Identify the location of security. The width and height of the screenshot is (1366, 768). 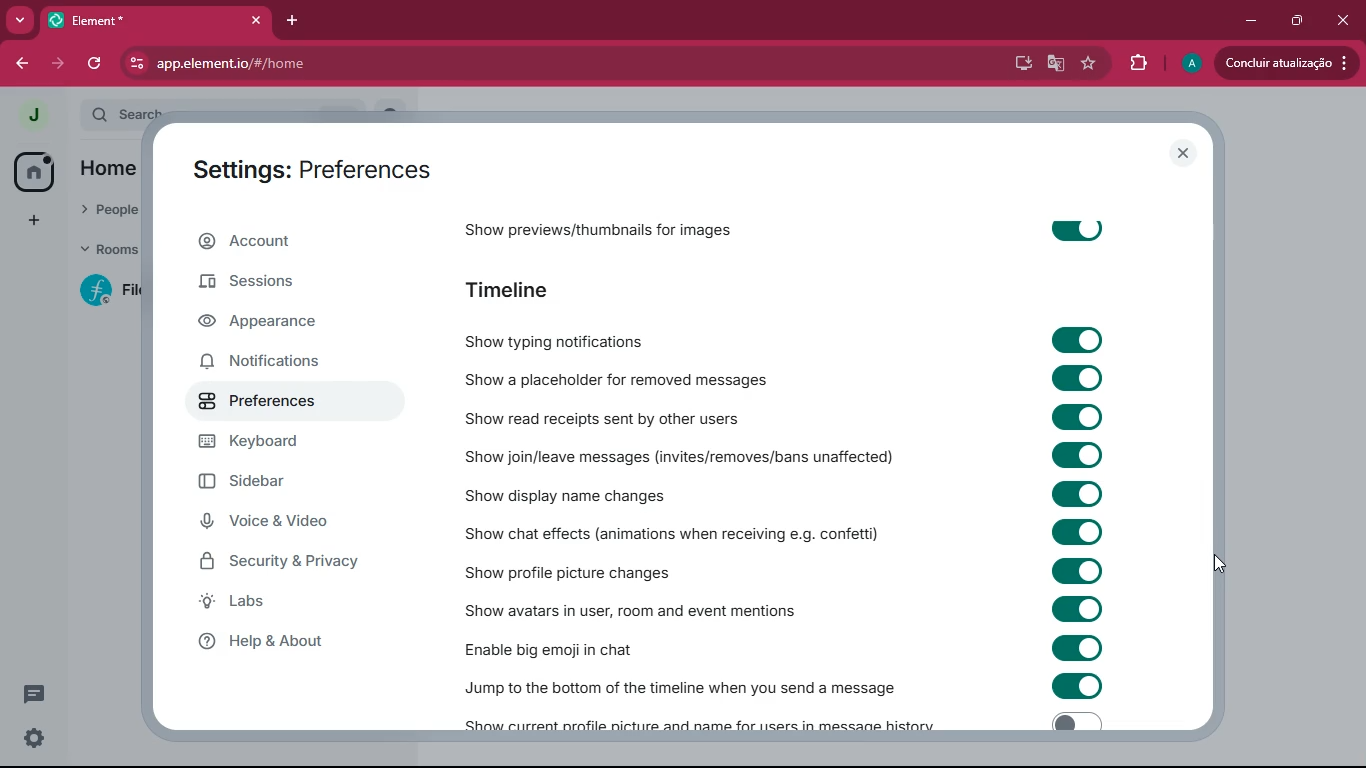
(287, 564).